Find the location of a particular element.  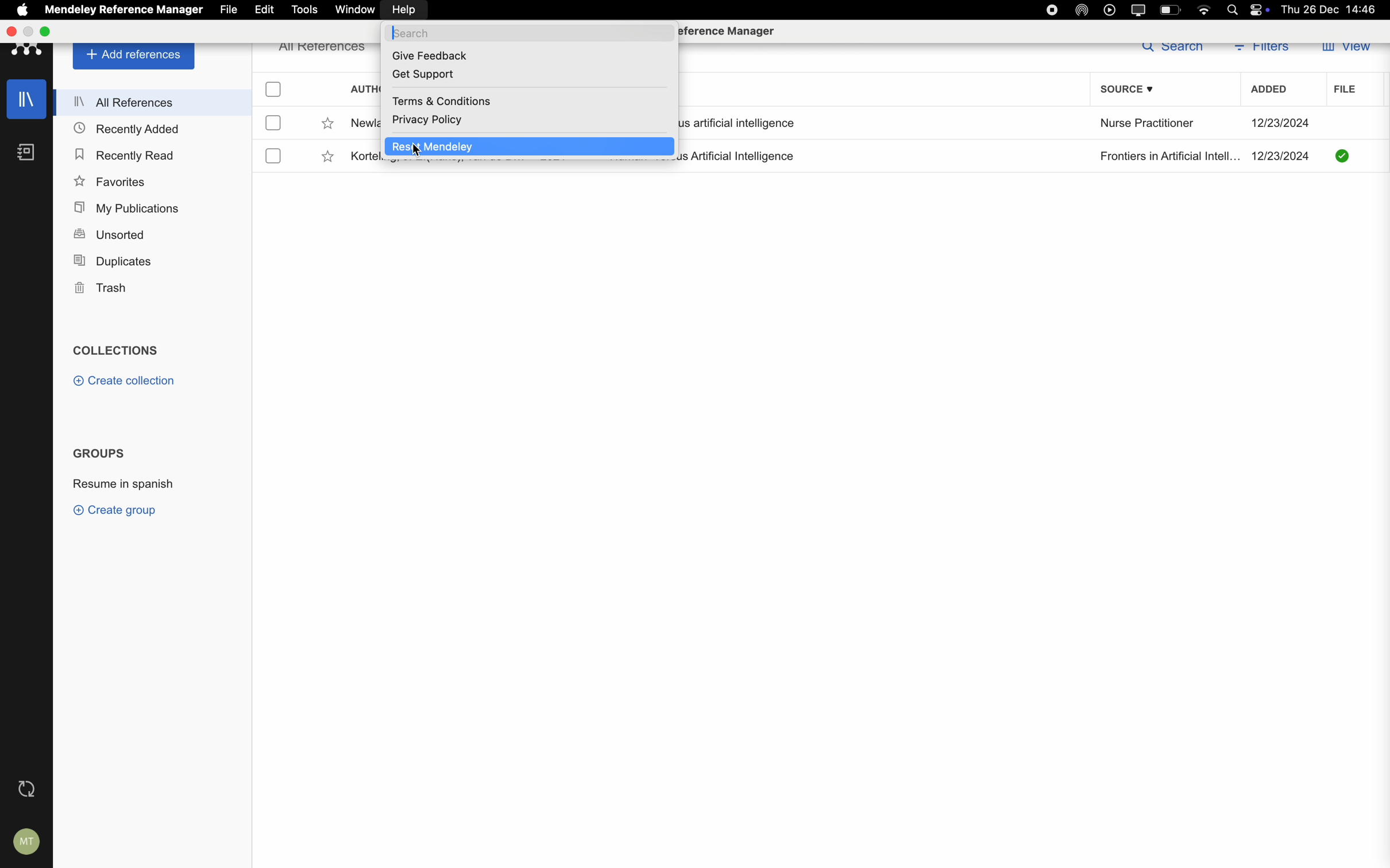

downloaded file is located at coordinates (1343, 157).